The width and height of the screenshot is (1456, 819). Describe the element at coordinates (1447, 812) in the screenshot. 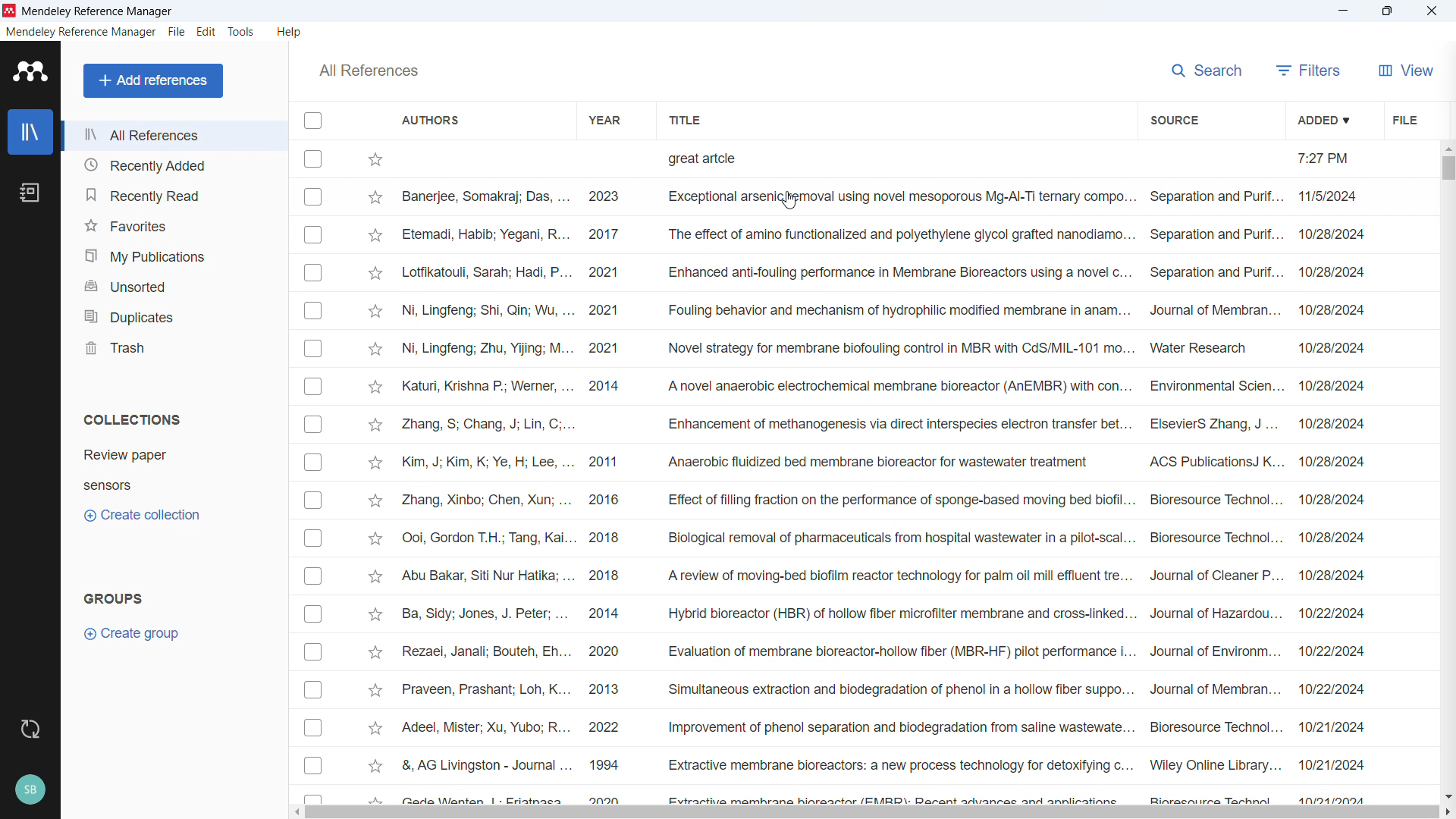

I see `Scroll right ` at that location.